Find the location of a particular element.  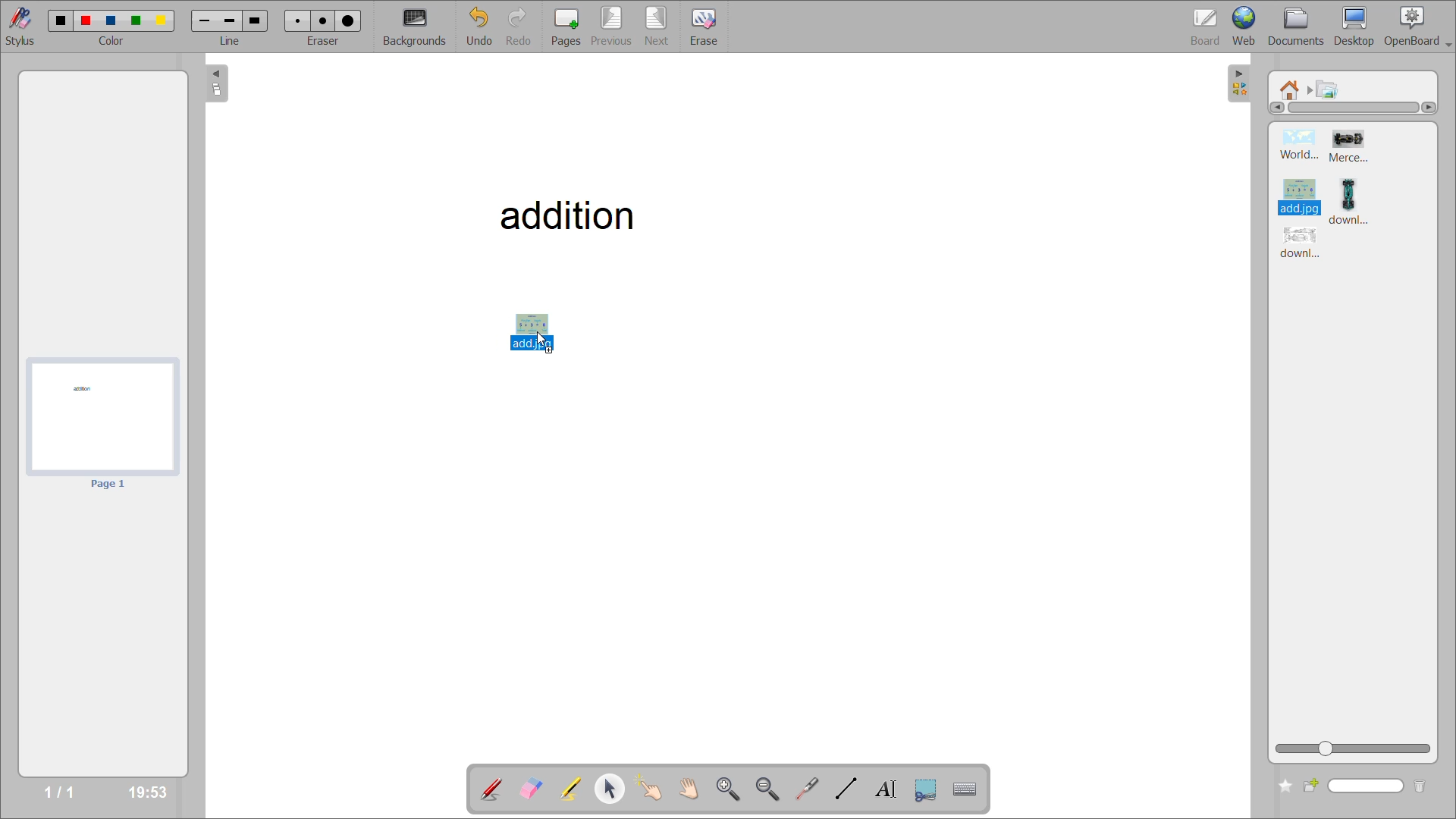

page 1 preview is located at coordinates (99, 416).